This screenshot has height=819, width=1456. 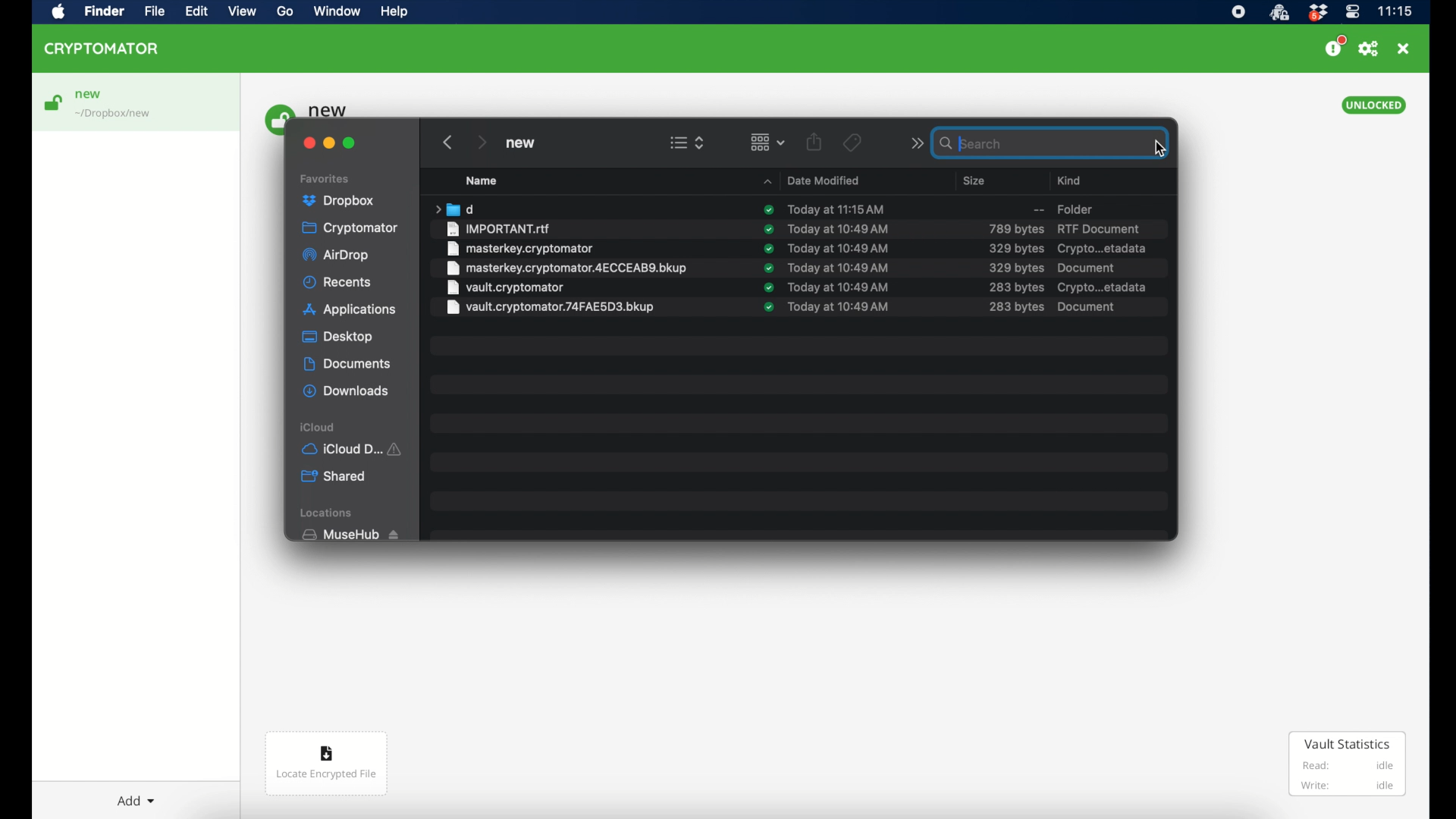 I want to click on cryptomator, so click(x=351, y=227).